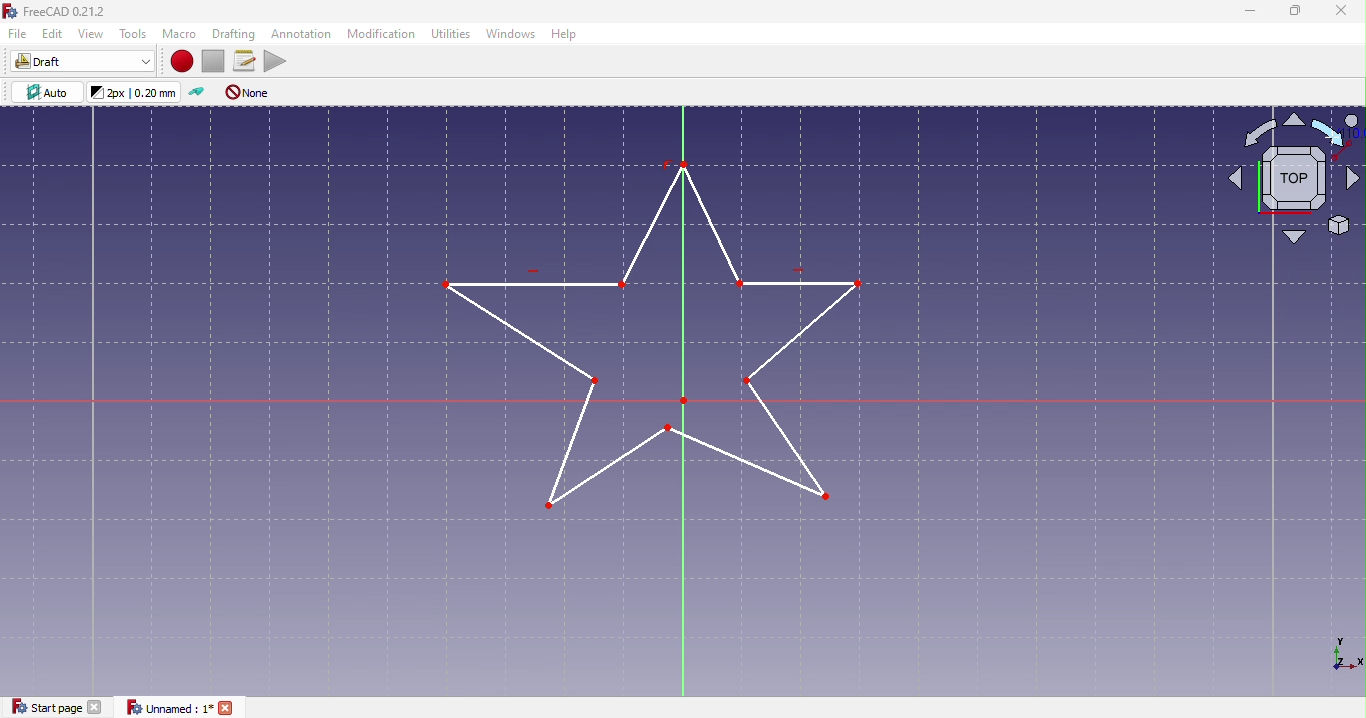  I want to click on Stop macro recording, so click(217, 61).